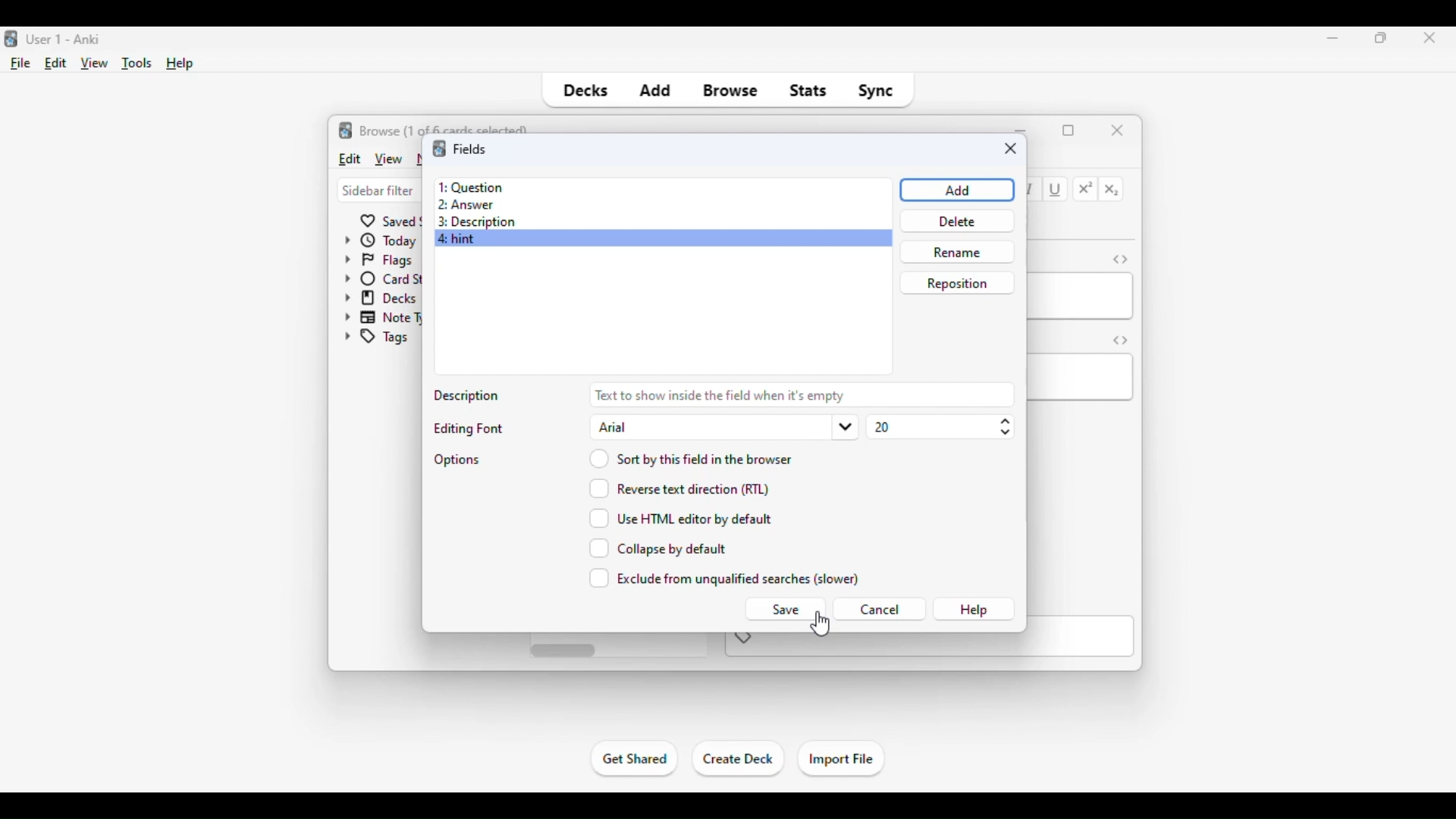 The height and width of the screenshot is (819, 1456). I want to click on close, so click(1118, 129).